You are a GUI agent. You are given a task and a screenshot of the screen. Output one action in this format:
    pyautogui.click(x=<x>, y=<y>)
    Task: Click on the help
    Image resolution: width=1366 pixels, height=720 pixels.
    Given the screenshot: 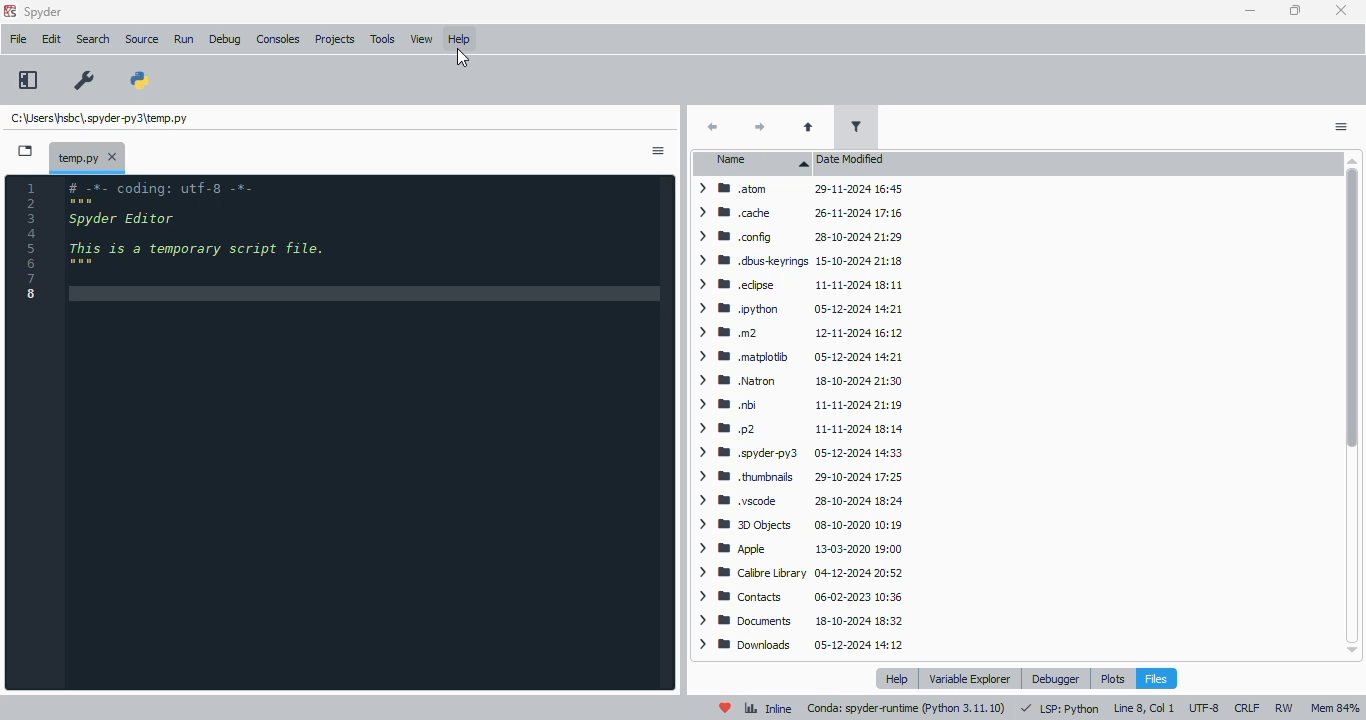 What is the action you would take?
    pyautogui.click(x=898, y=678)
    